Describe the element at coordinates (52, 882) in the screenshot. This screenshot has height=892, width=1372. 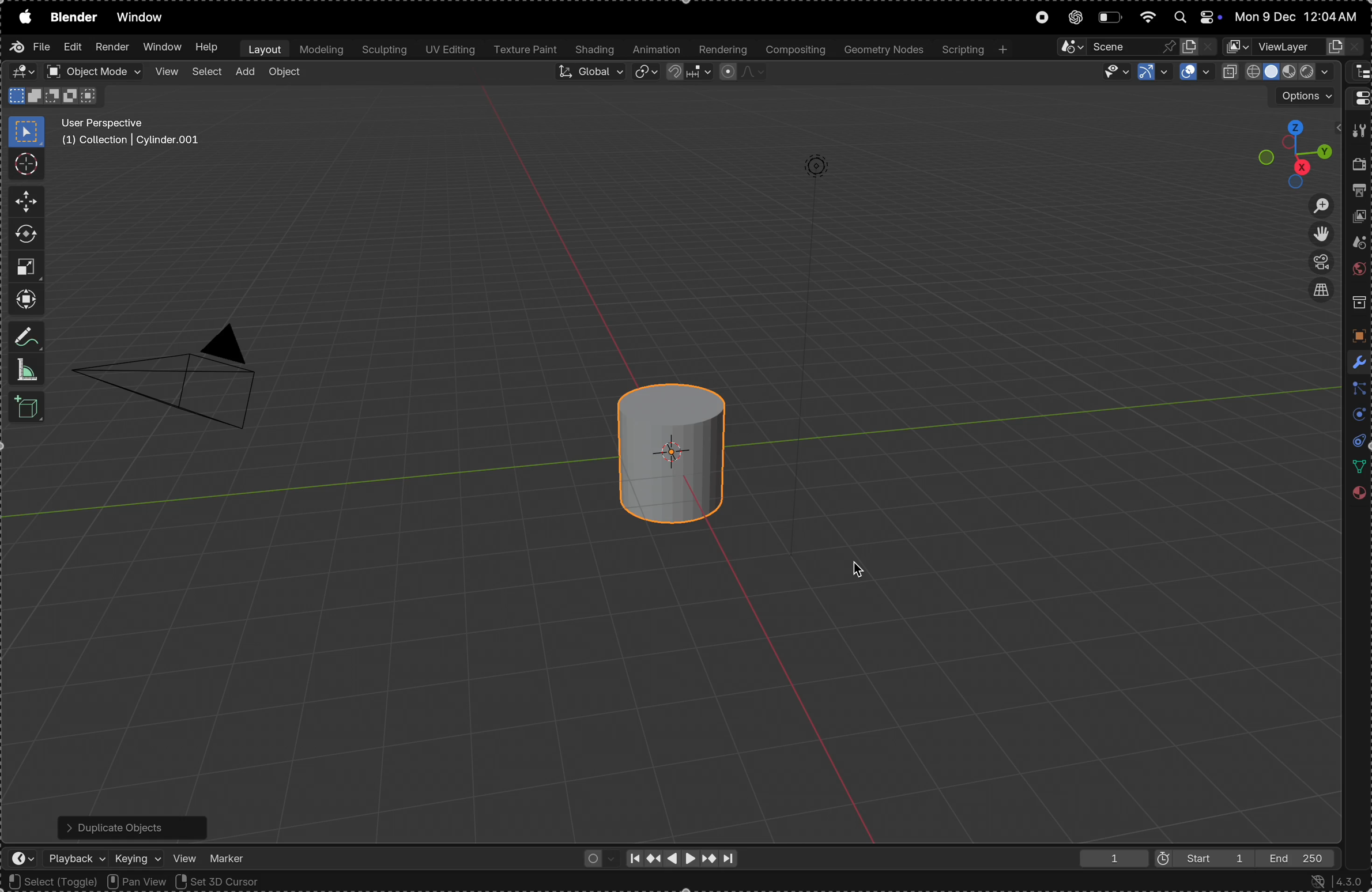
I see `select toggle` at that location.